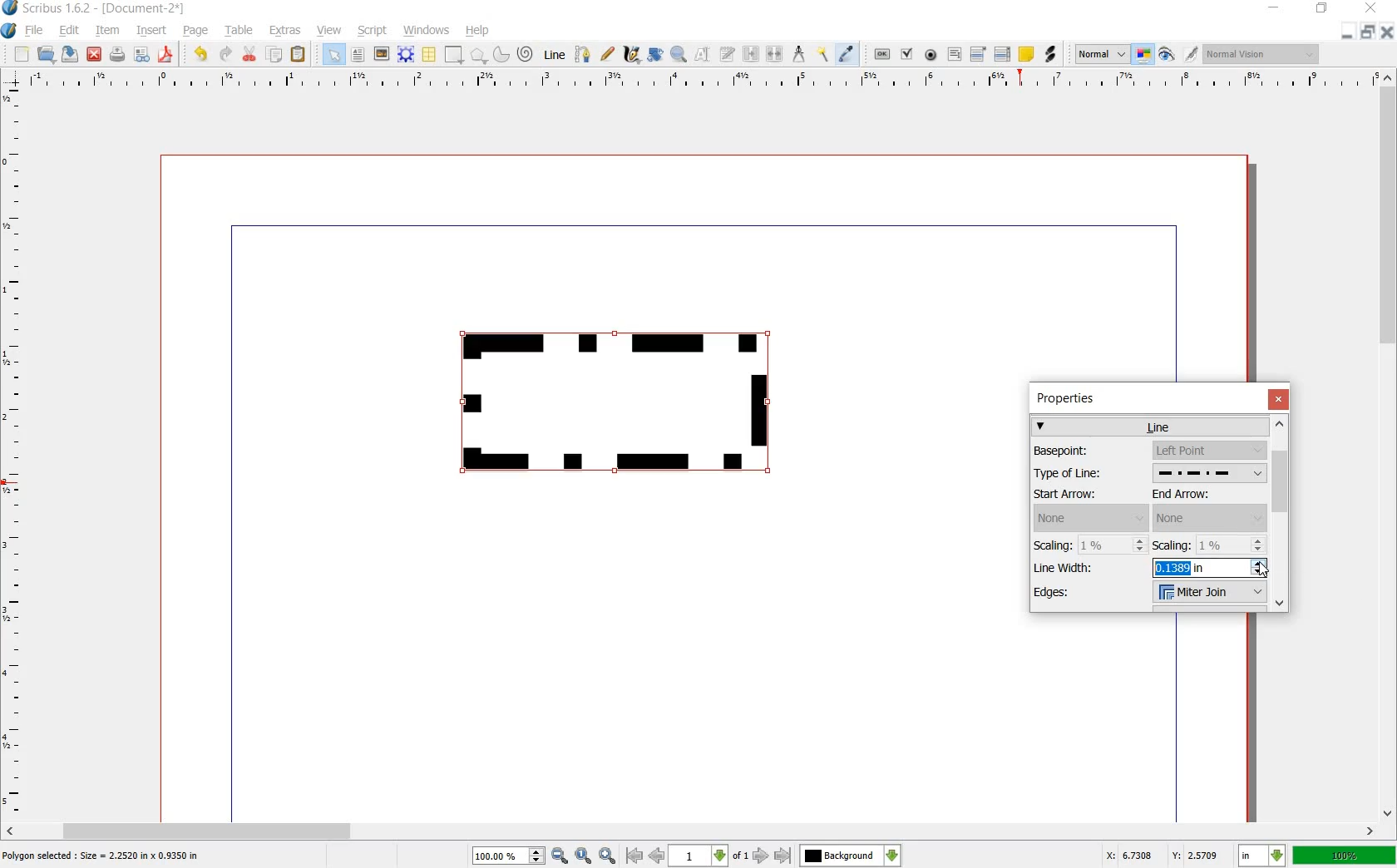  Describe the element at coordinates (583, 856) in the screenshot. I see `zoom to` at that location.